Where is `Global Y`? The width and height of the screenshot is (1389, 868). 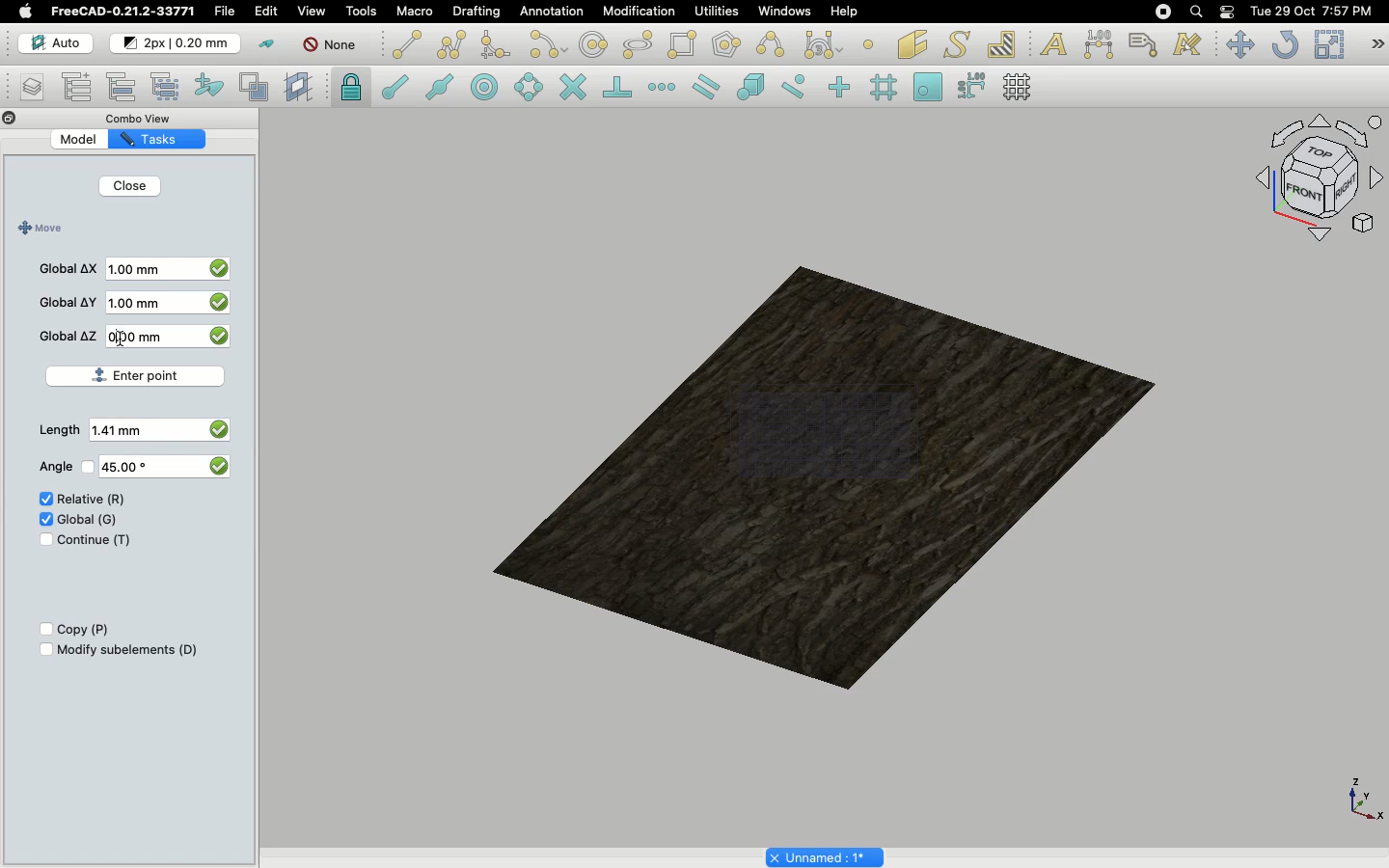 Global Y is located at coordinates (68, 302).